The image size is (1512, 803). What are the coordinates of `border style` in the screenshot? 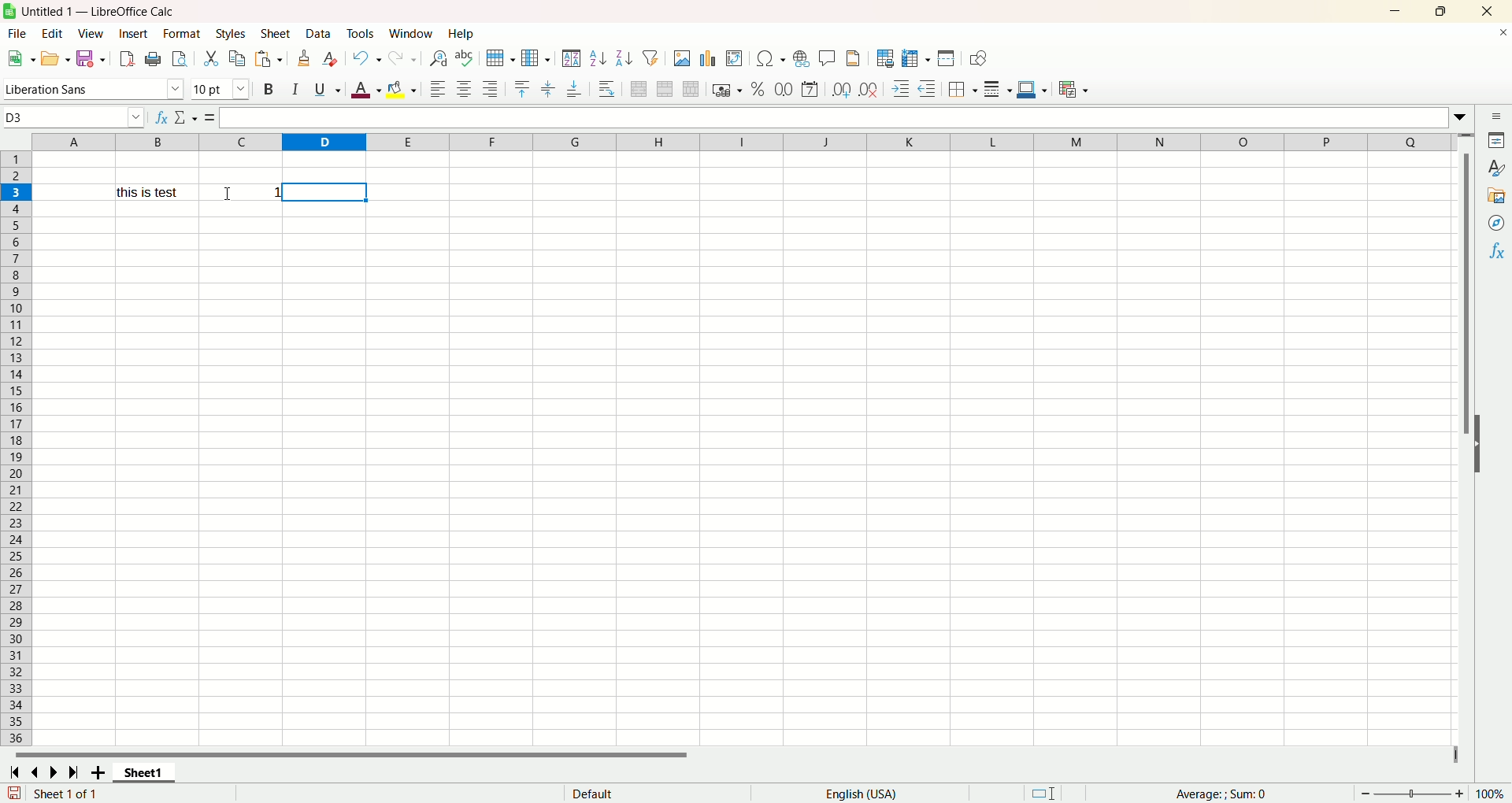 It's located at (999, 87).